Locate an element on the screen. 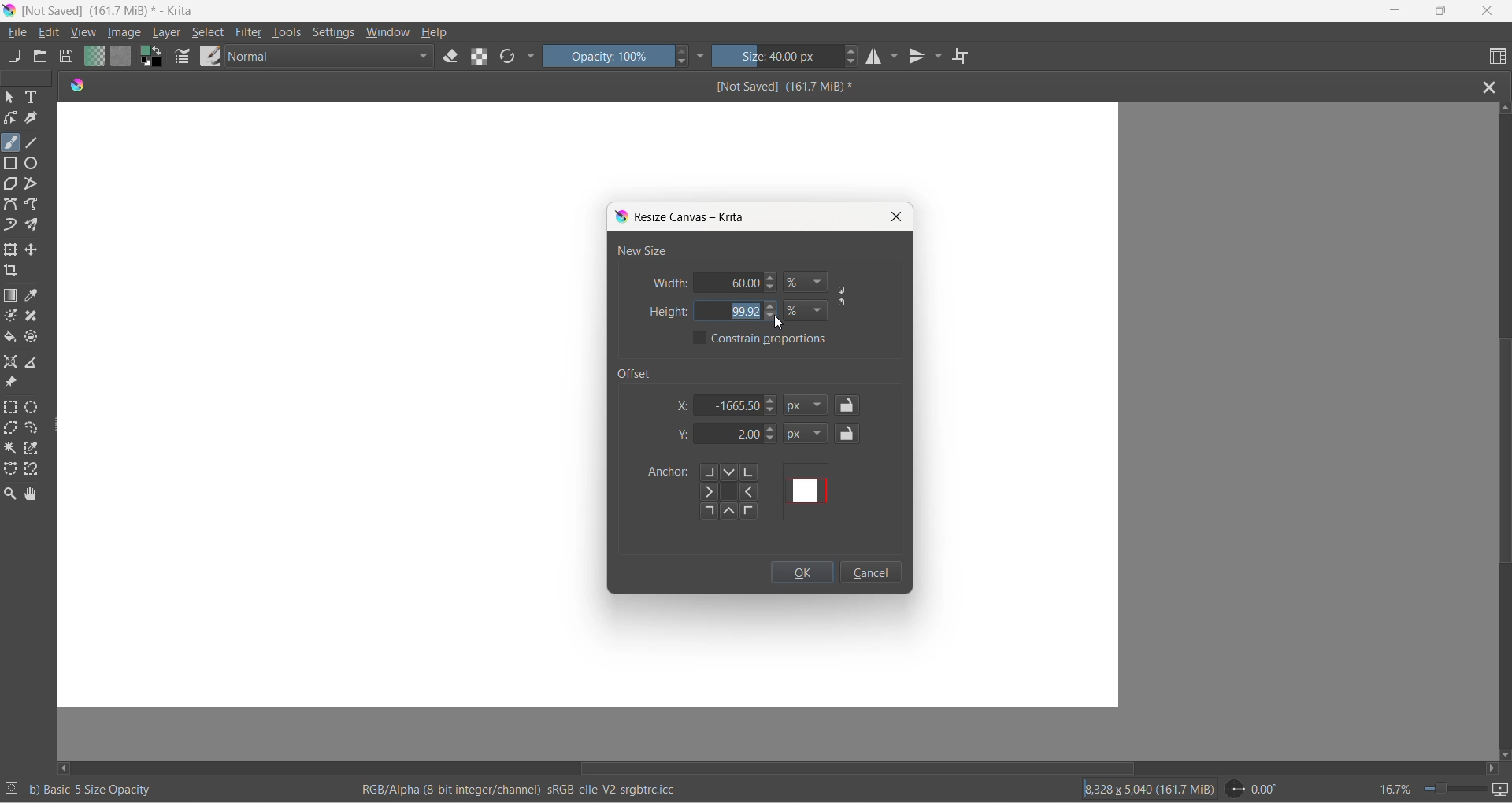 The height and width of the screenshot is (803, 1512). sample a color is located at coordinates (34, 297).